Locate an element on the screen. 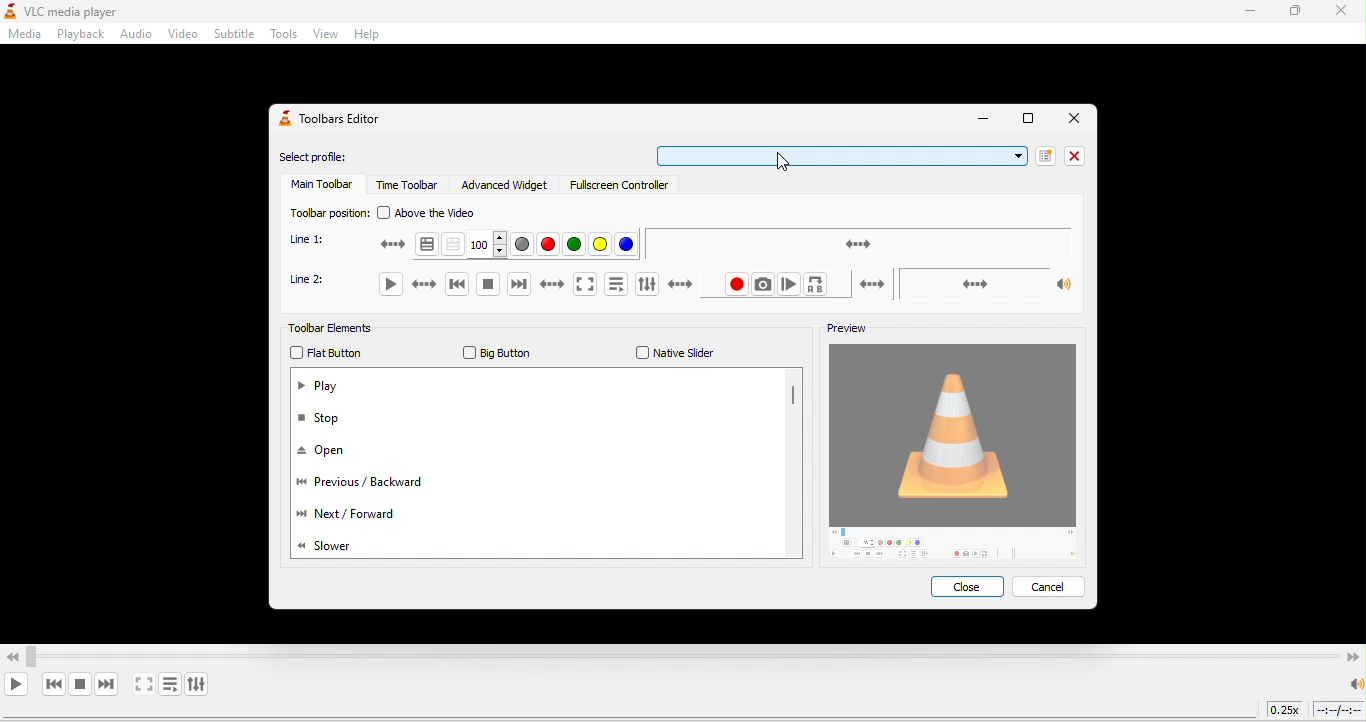 The height and width of the screenshot is (722, 1366). fullscreen controller is located at coordinates (625, 189).